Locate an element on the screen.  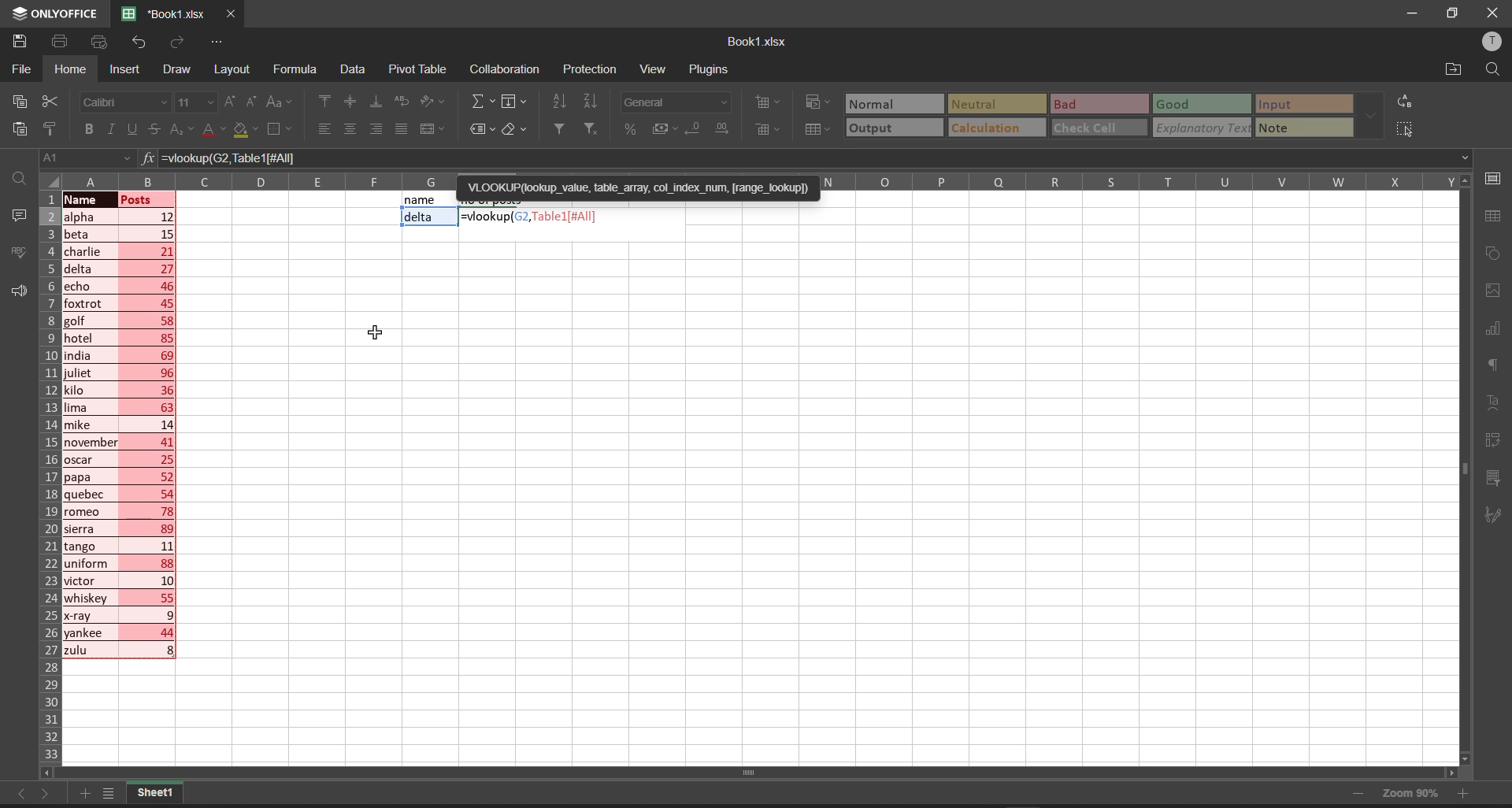
'Book1.xlsx is located at coordinates (160, 14).